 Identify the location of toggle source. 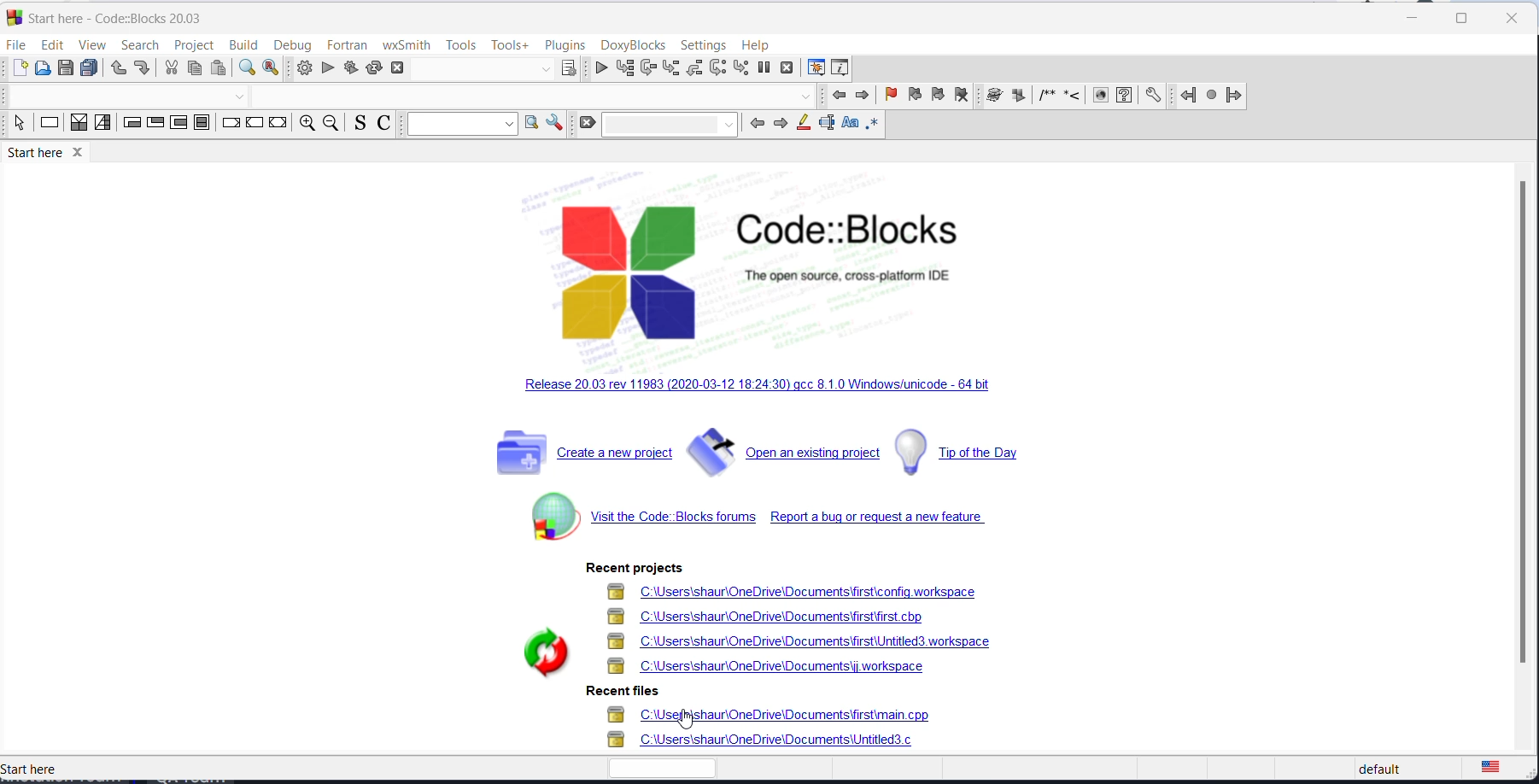
(356, 125).